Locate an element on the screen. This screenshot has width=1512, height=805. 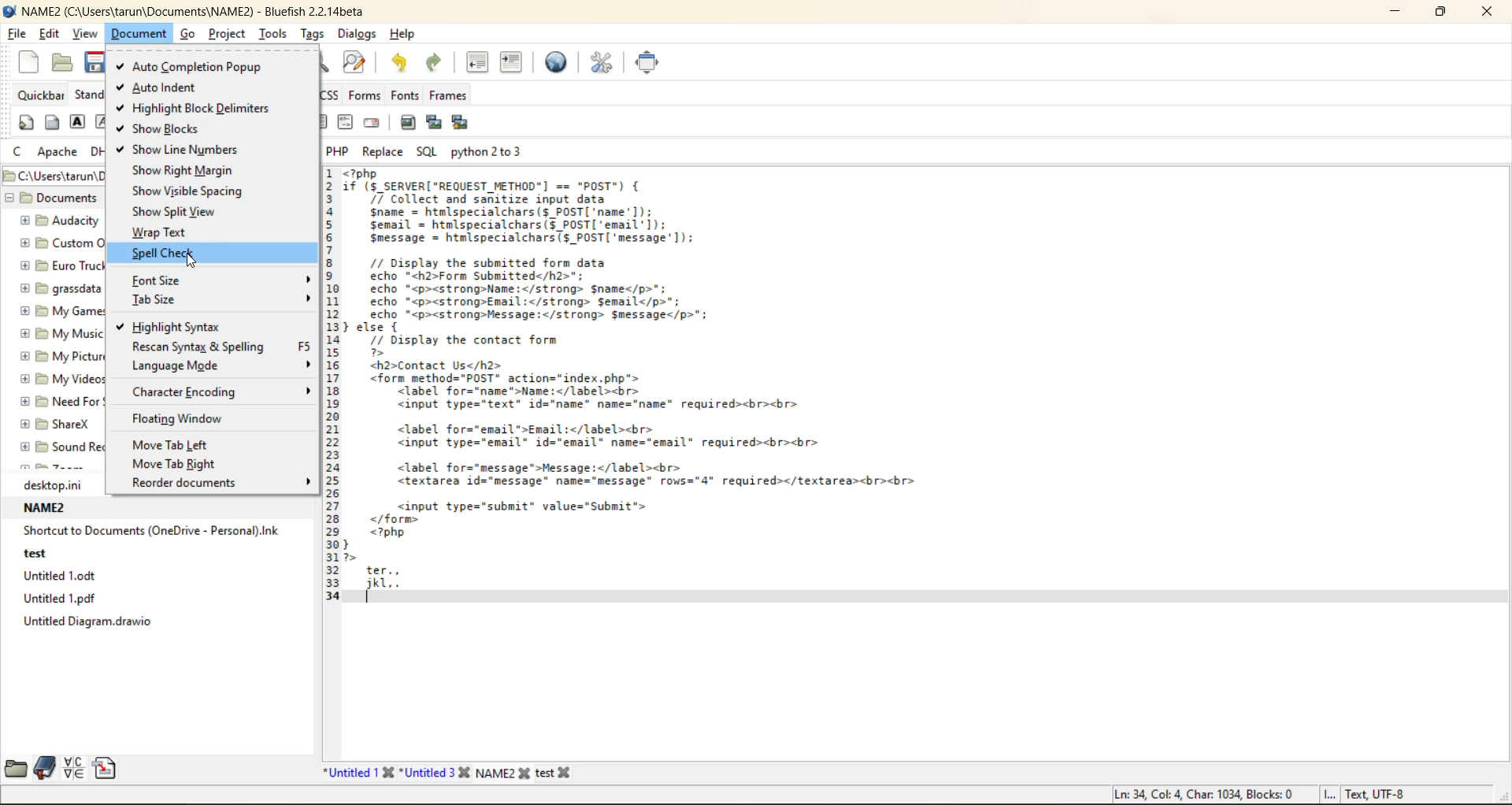
test is located at coordinates (47, 556).